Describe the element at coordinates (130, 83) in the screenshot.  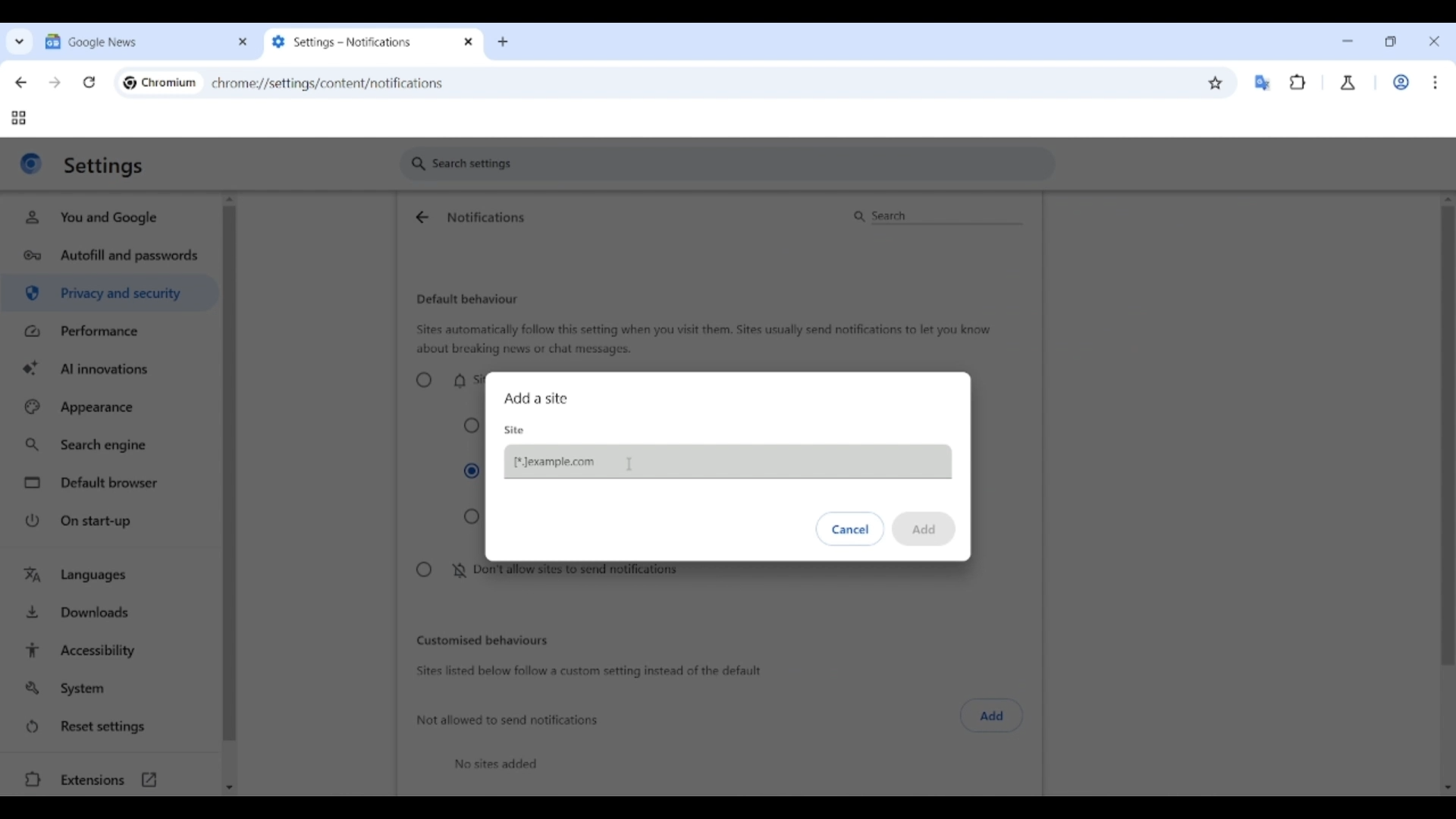
I see `Chromium logo` at that location.